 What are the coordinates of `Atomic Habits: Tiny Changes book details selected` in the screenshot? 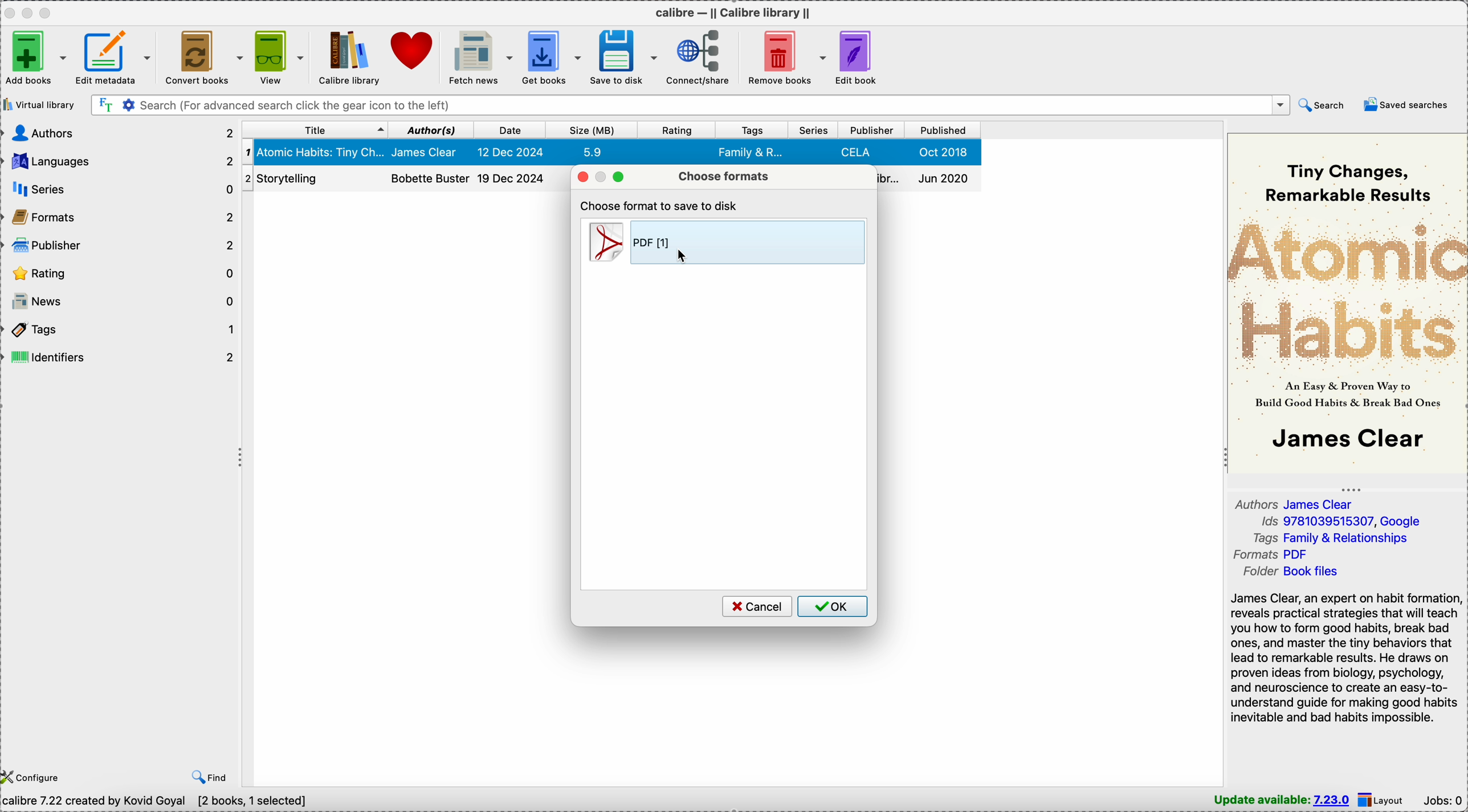 It's located at (608, 153).